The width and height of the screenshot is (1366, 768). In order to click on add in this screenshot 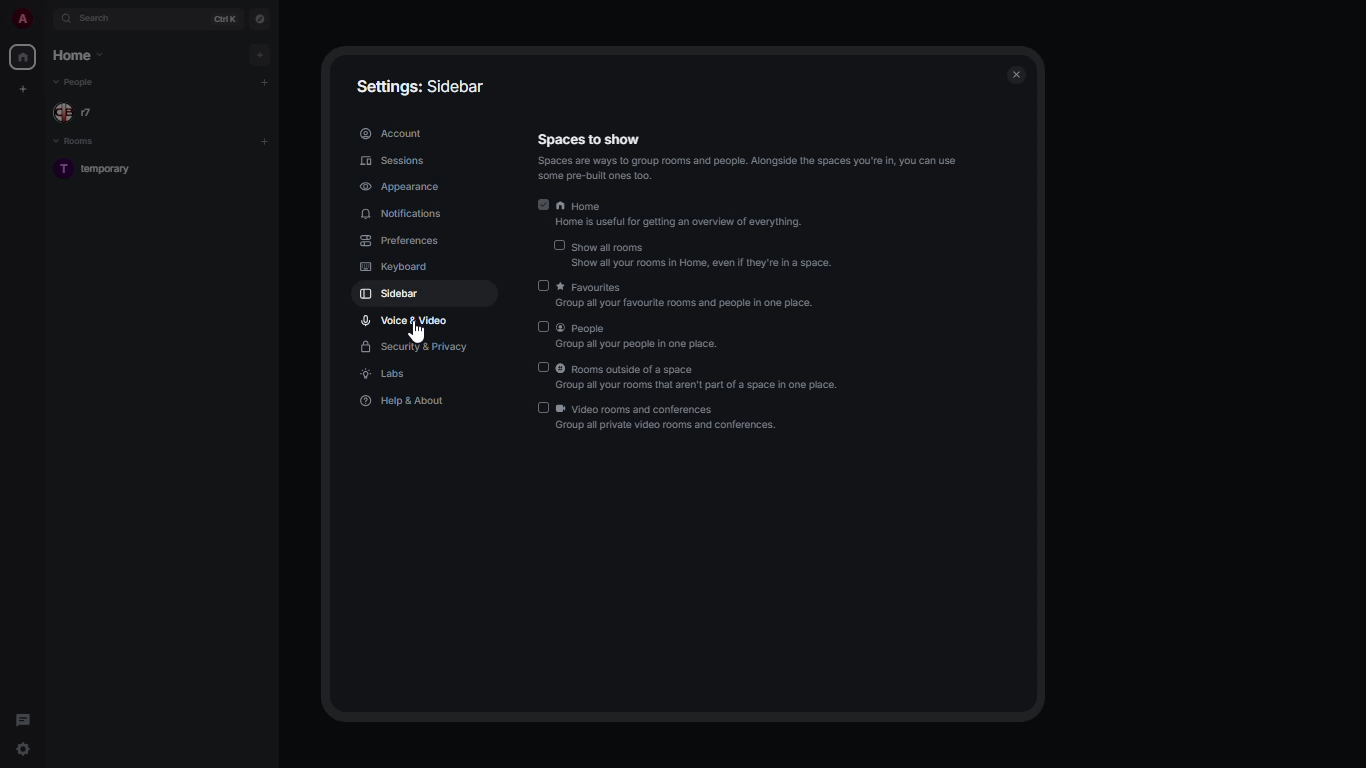, I will do `click(265, 82)`.